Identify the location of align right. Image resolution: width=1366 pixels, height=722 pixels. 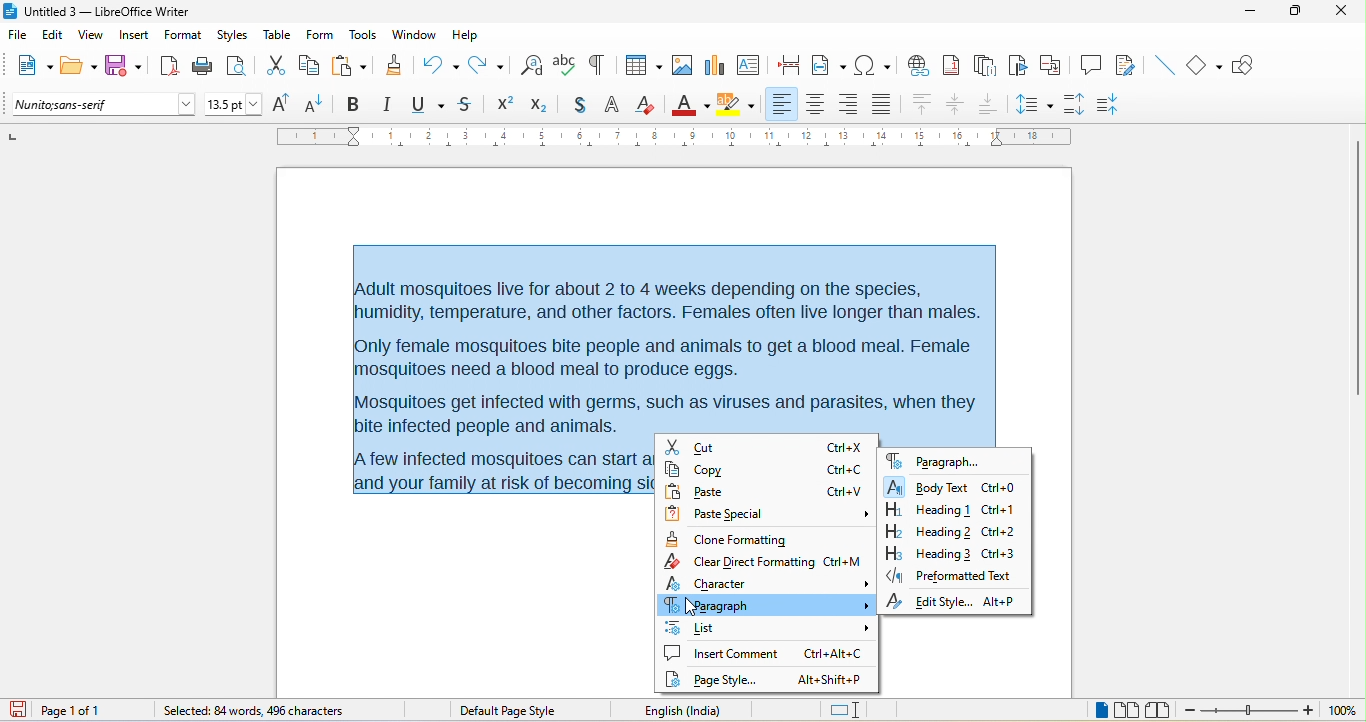
(847, 105).